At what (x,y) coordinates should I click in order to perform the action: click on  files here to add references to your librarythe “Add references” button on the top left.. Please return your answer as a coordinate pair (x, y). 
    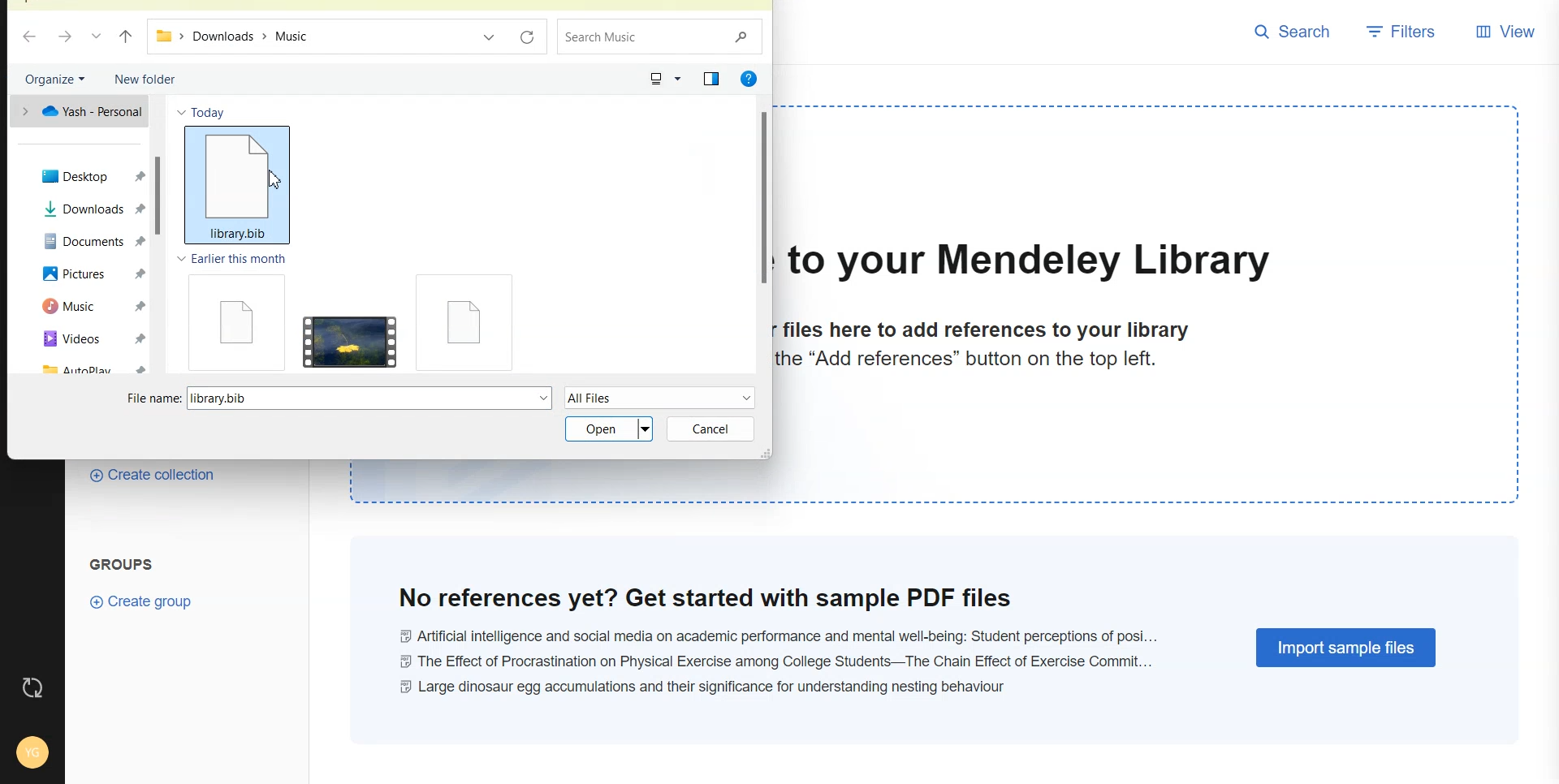
    Looking at the image, I should click on (988, 355).